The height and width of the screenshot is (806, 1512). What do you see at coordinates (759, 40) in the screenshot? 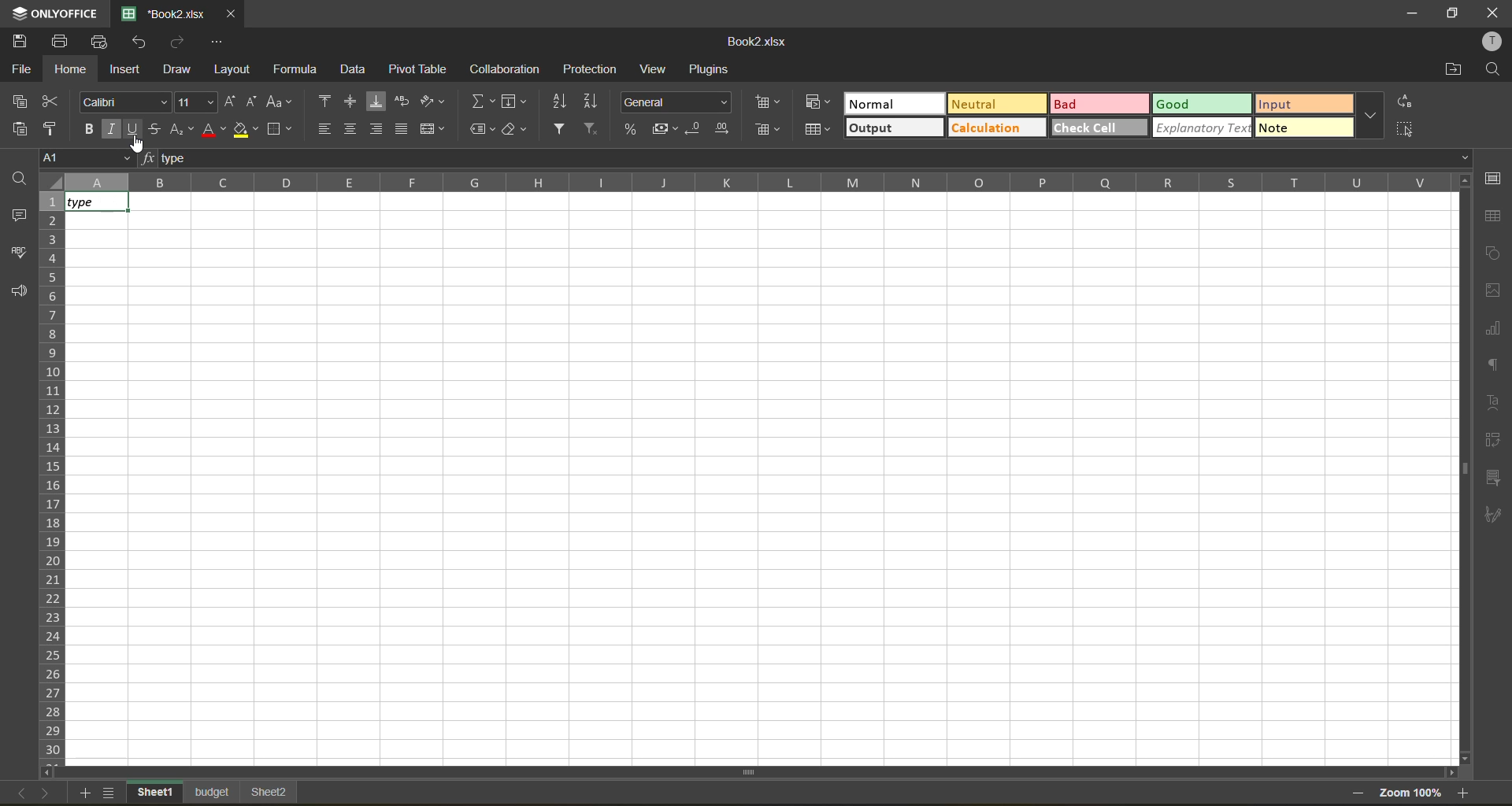
I see `Book2.xlsx` at bounding box center [759, 40].